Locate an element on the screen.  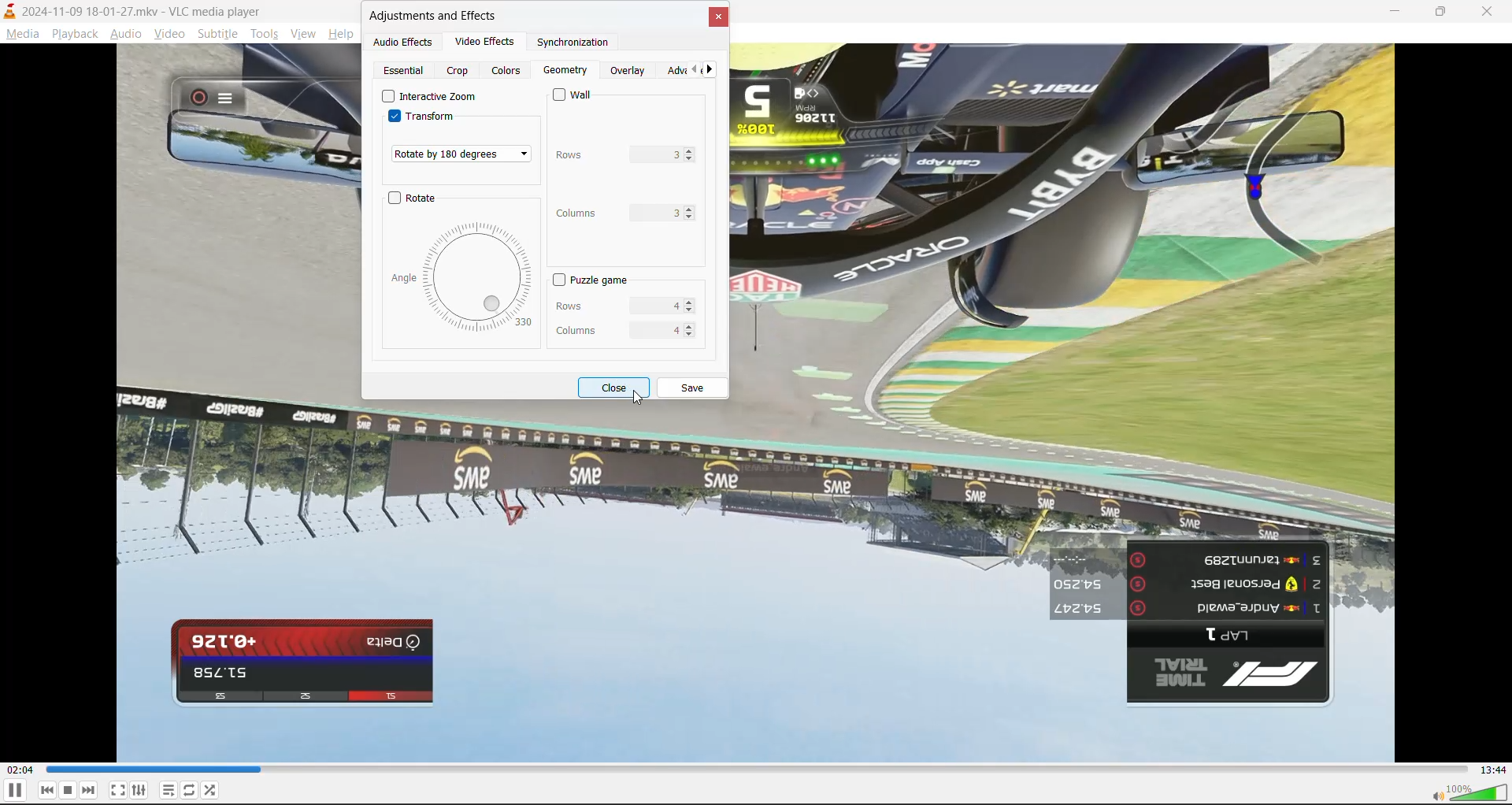
puzzle game is located at coordinates (588, 280).